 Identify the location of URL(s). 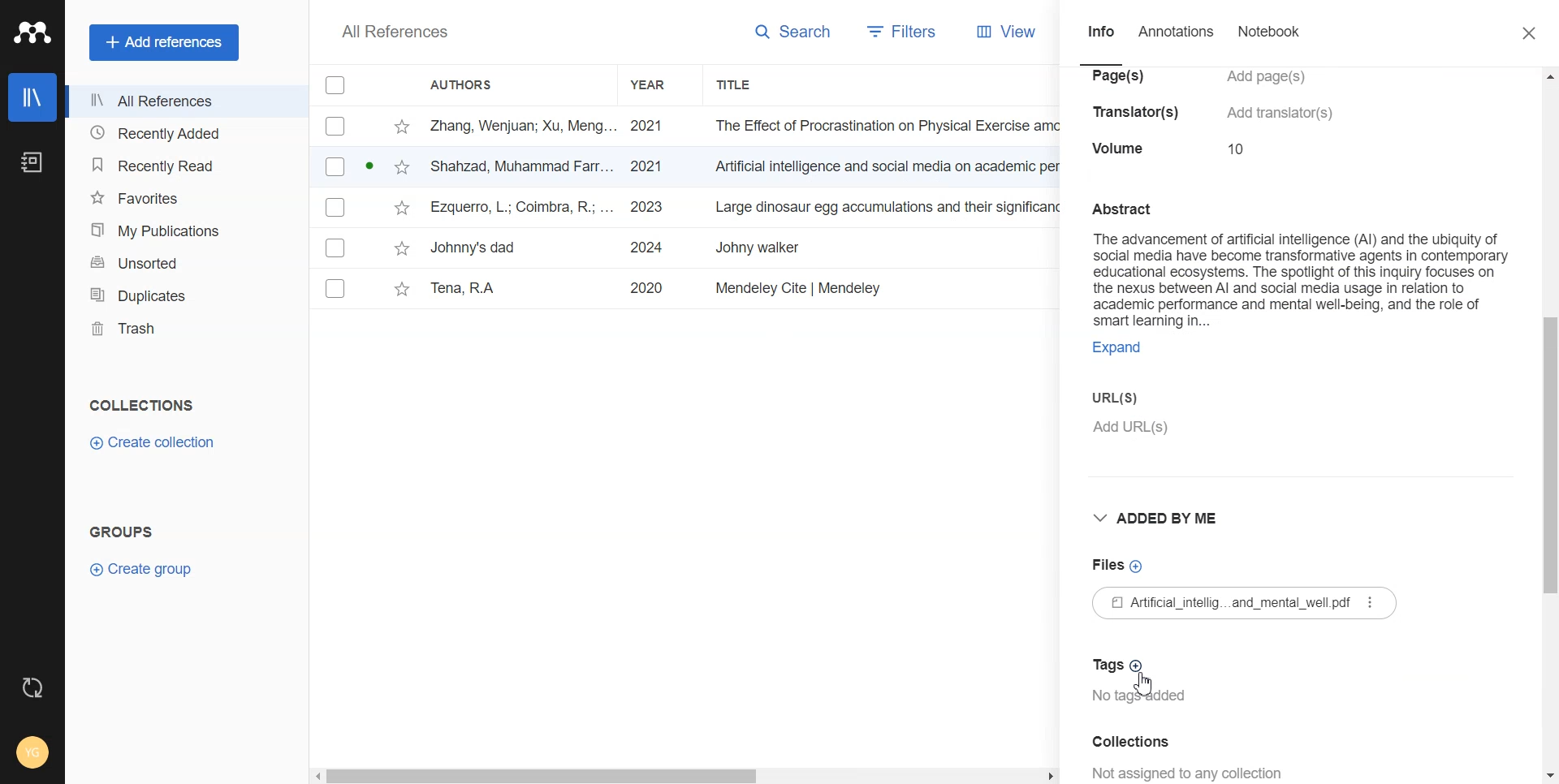
(1301, 414).